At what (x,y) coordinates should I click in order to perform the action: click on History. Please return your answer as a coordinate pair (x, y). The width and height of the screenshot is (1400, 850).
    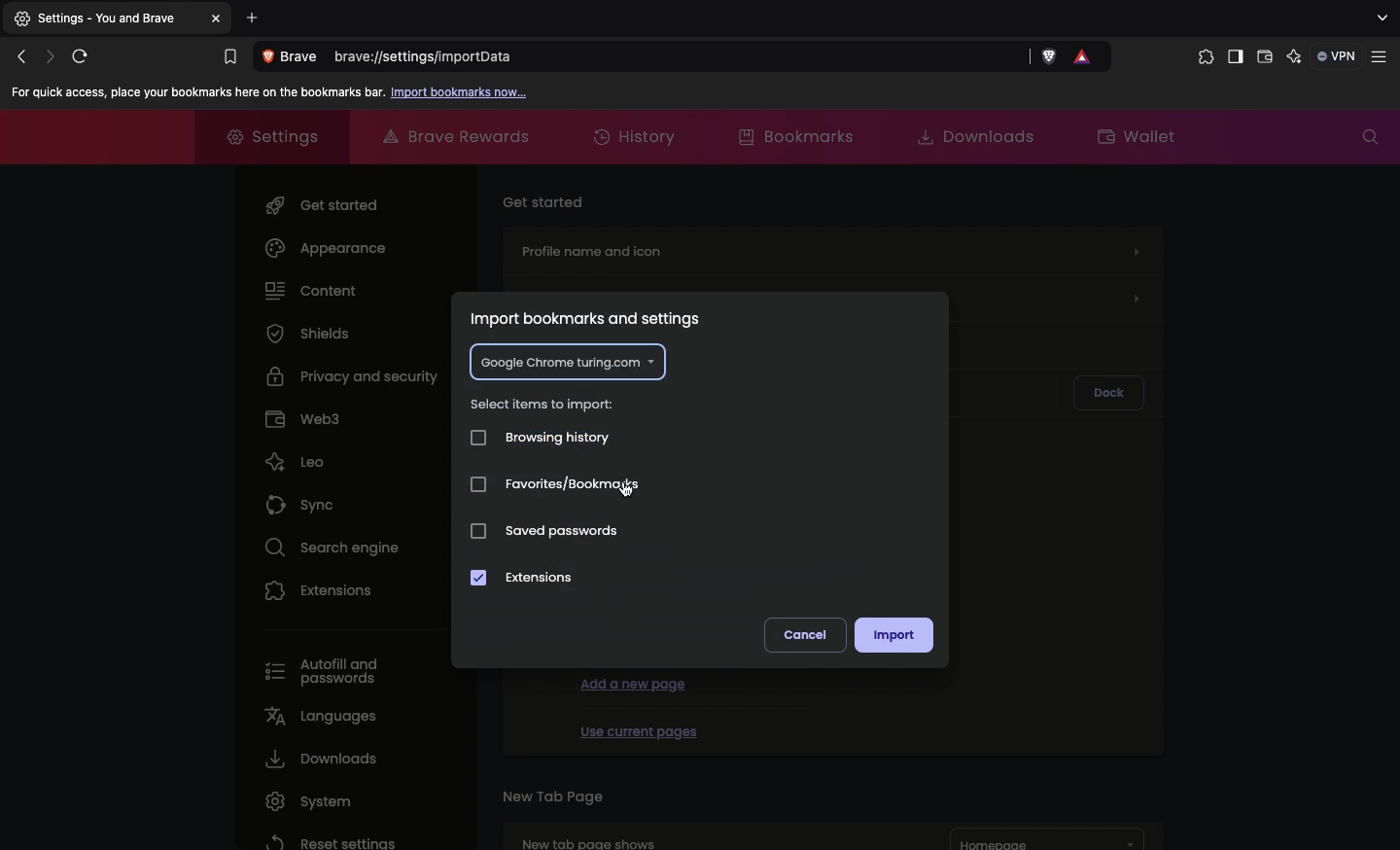
    Looking at the image, I should click on (638, 138).